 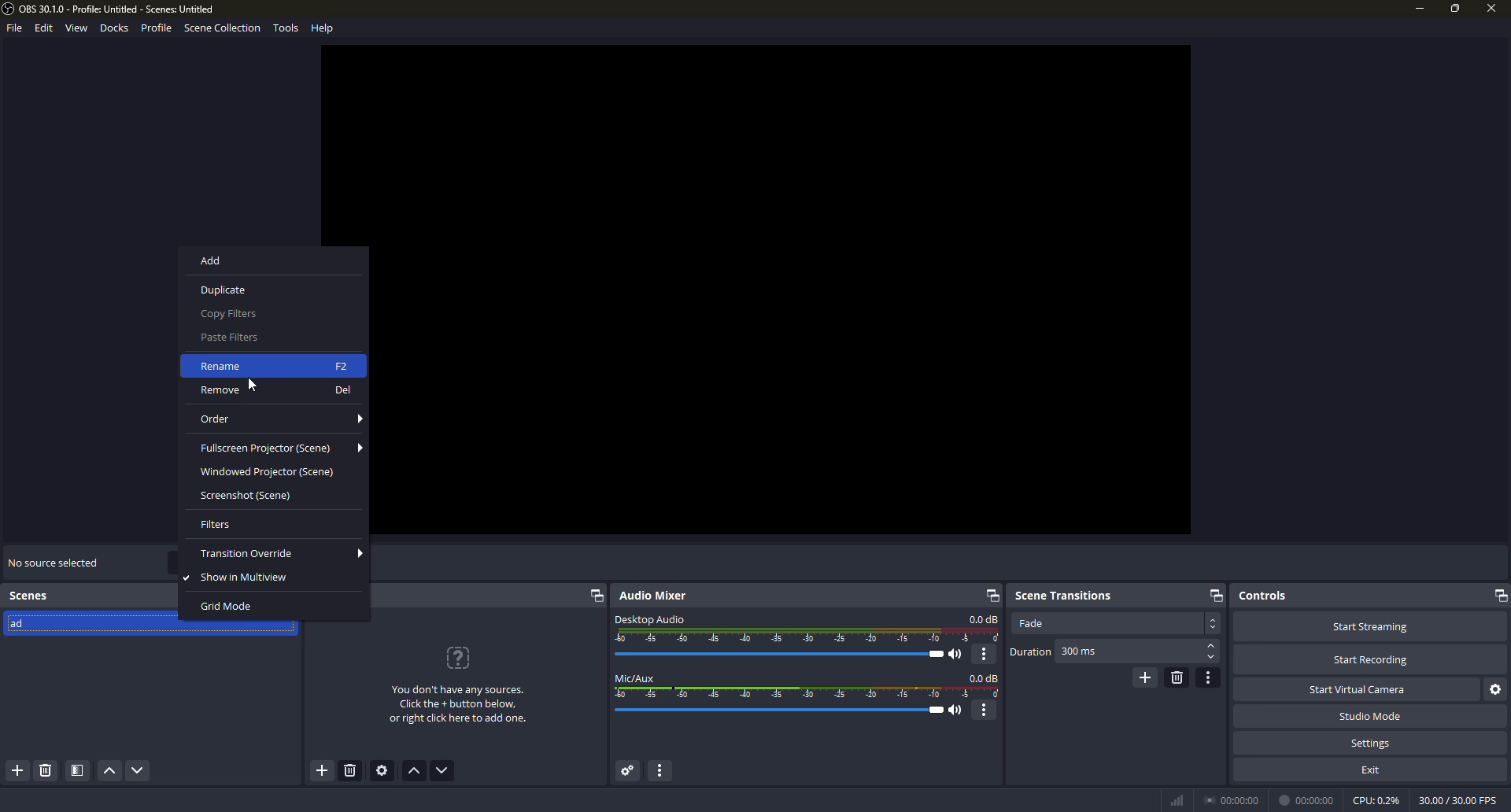 What do you see at coordinates (112, 9) in the screenshot?
I see `obs profile` at bounding box center [112, 9].